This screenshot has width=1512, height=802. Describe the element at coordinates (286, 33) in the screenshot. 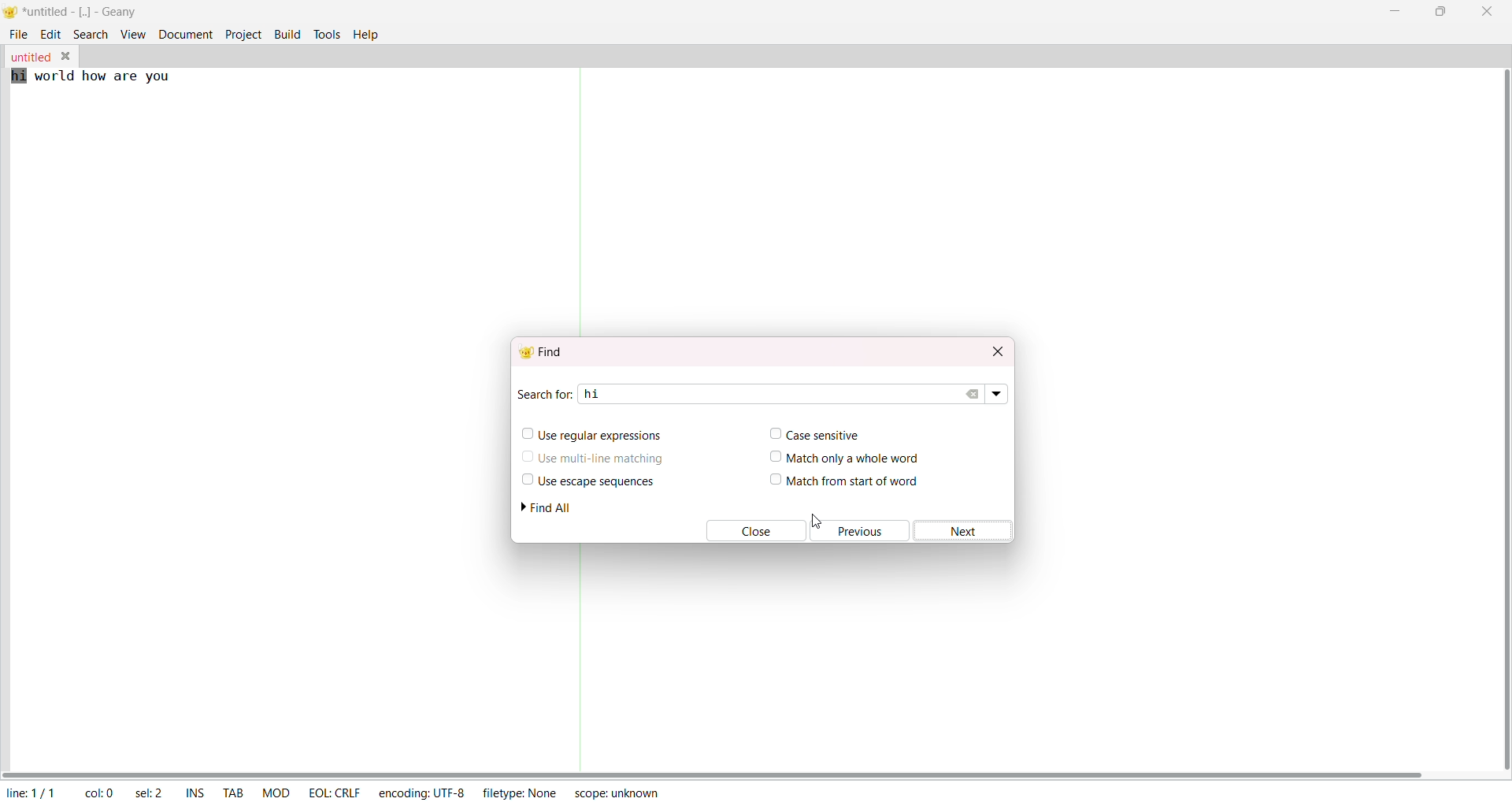

I see `build` at that location.